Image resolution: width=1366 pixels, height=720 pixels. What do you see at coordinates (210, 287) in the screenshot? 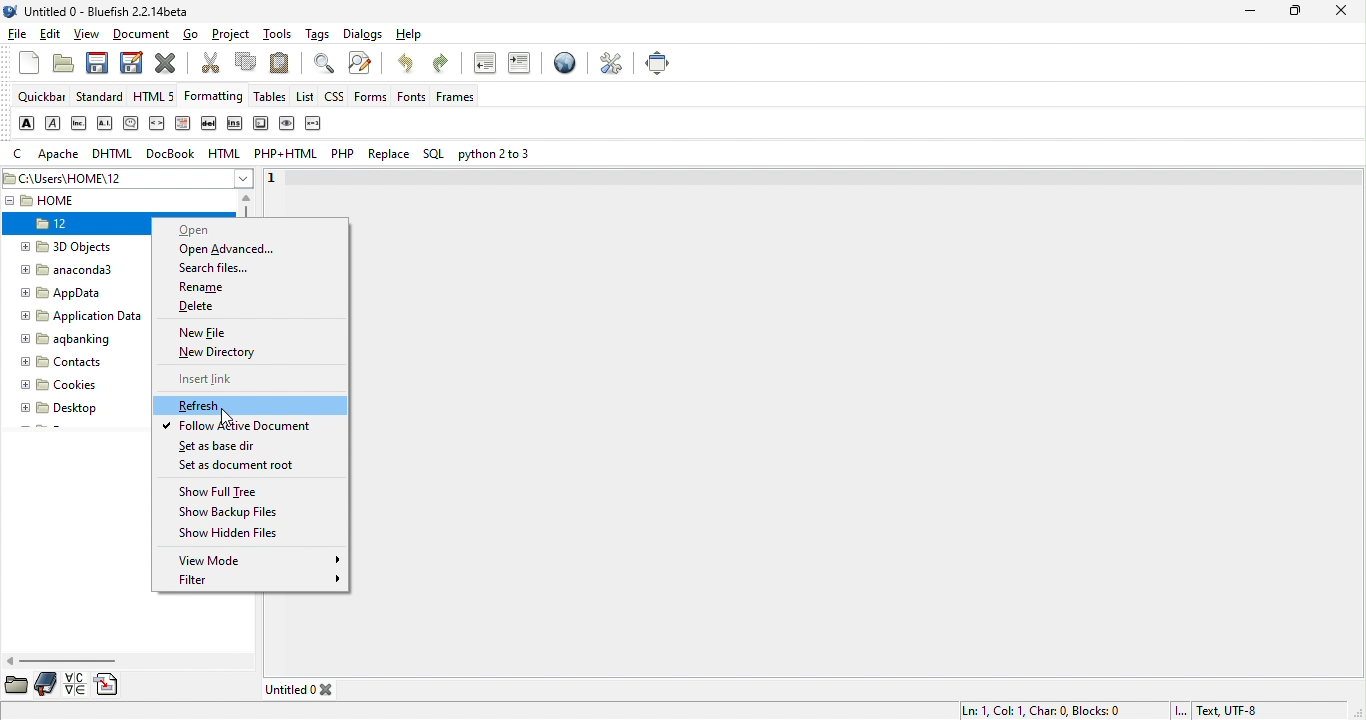
I see `rename` at bounding box center [210, 287].